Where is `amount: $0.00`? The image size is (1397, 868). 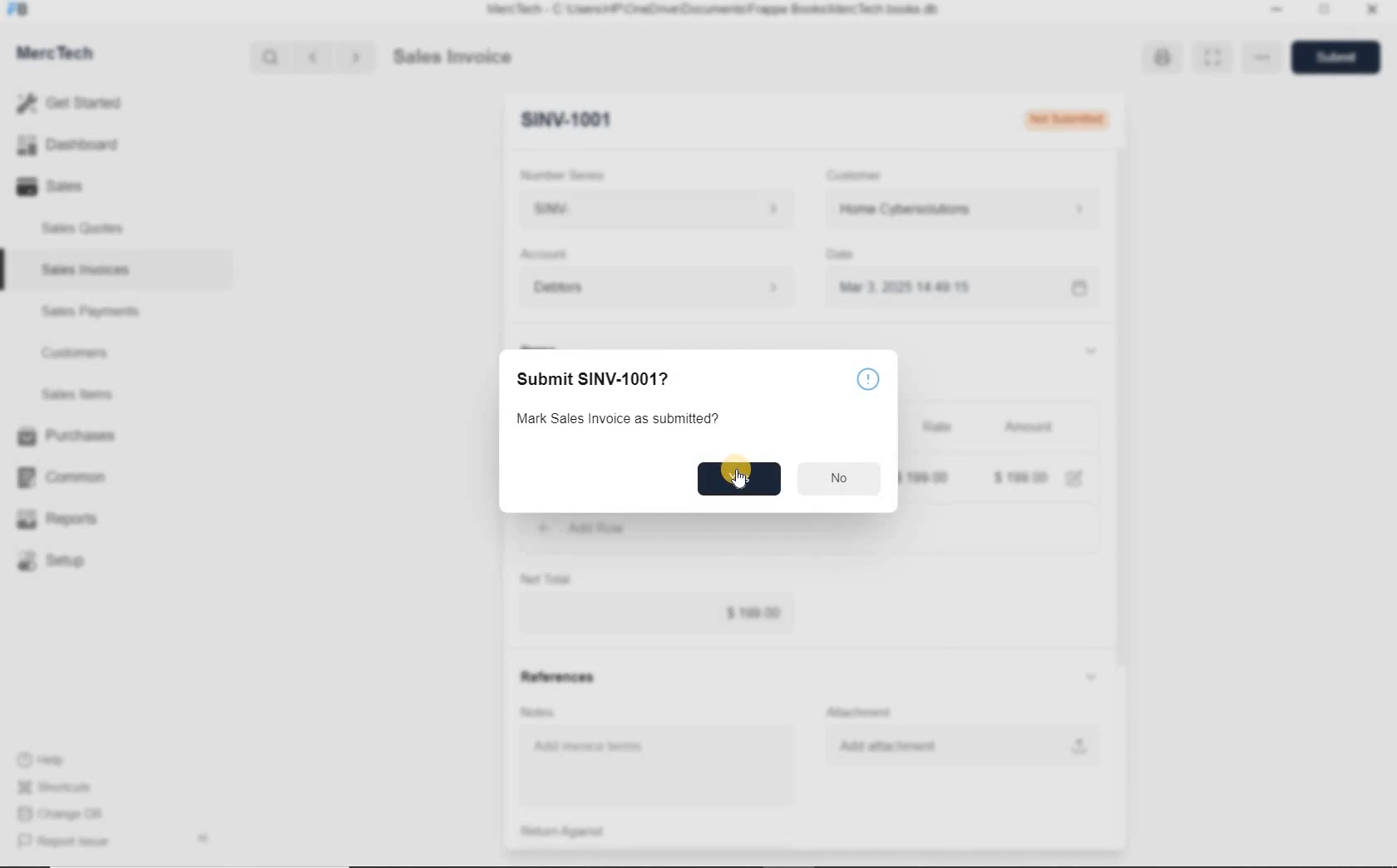
amount: $0.00 is located at coordinates (1022, 476).